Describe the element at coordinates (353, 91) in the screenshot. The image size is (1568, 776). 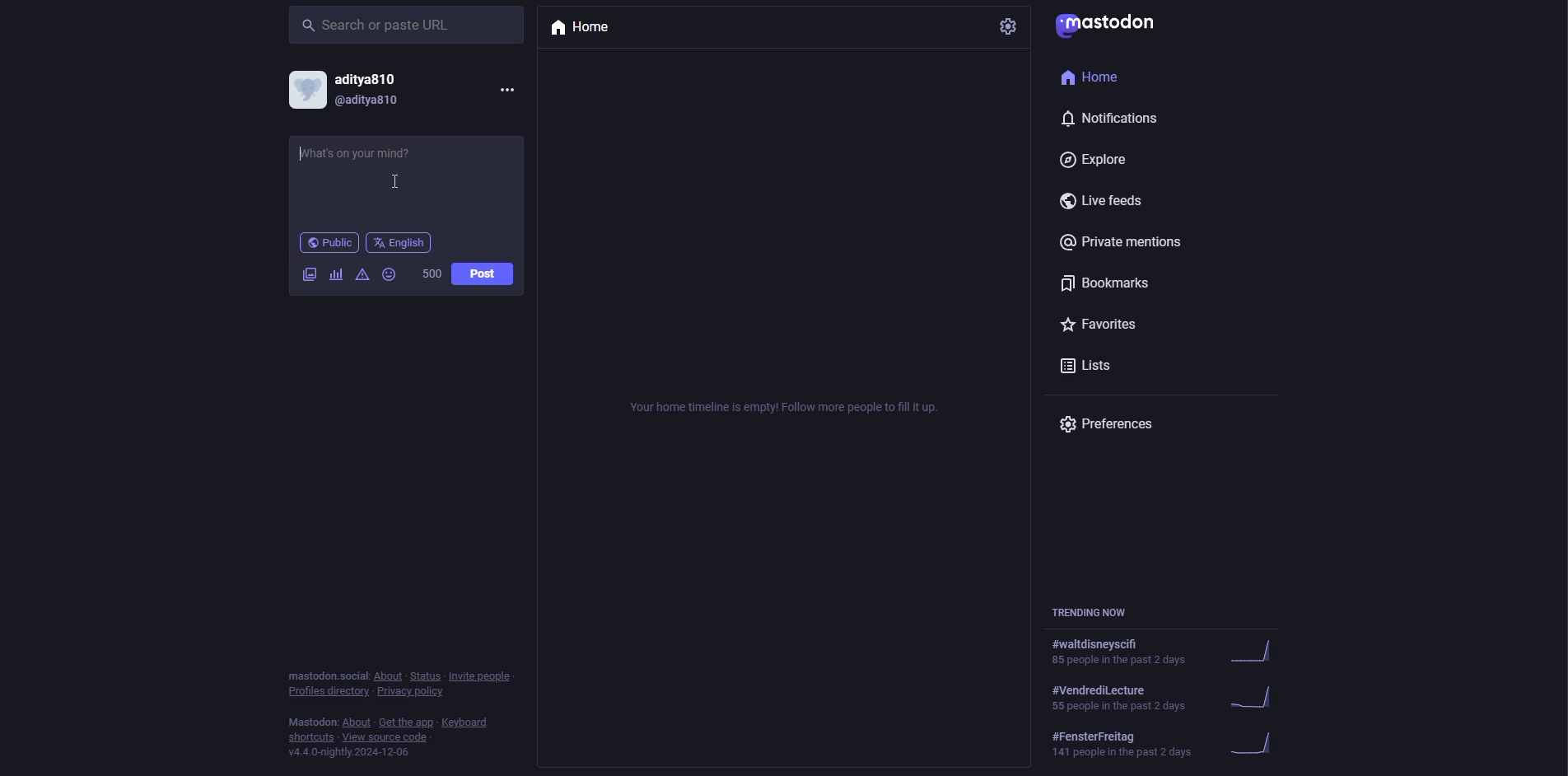
I see `account` at that location.